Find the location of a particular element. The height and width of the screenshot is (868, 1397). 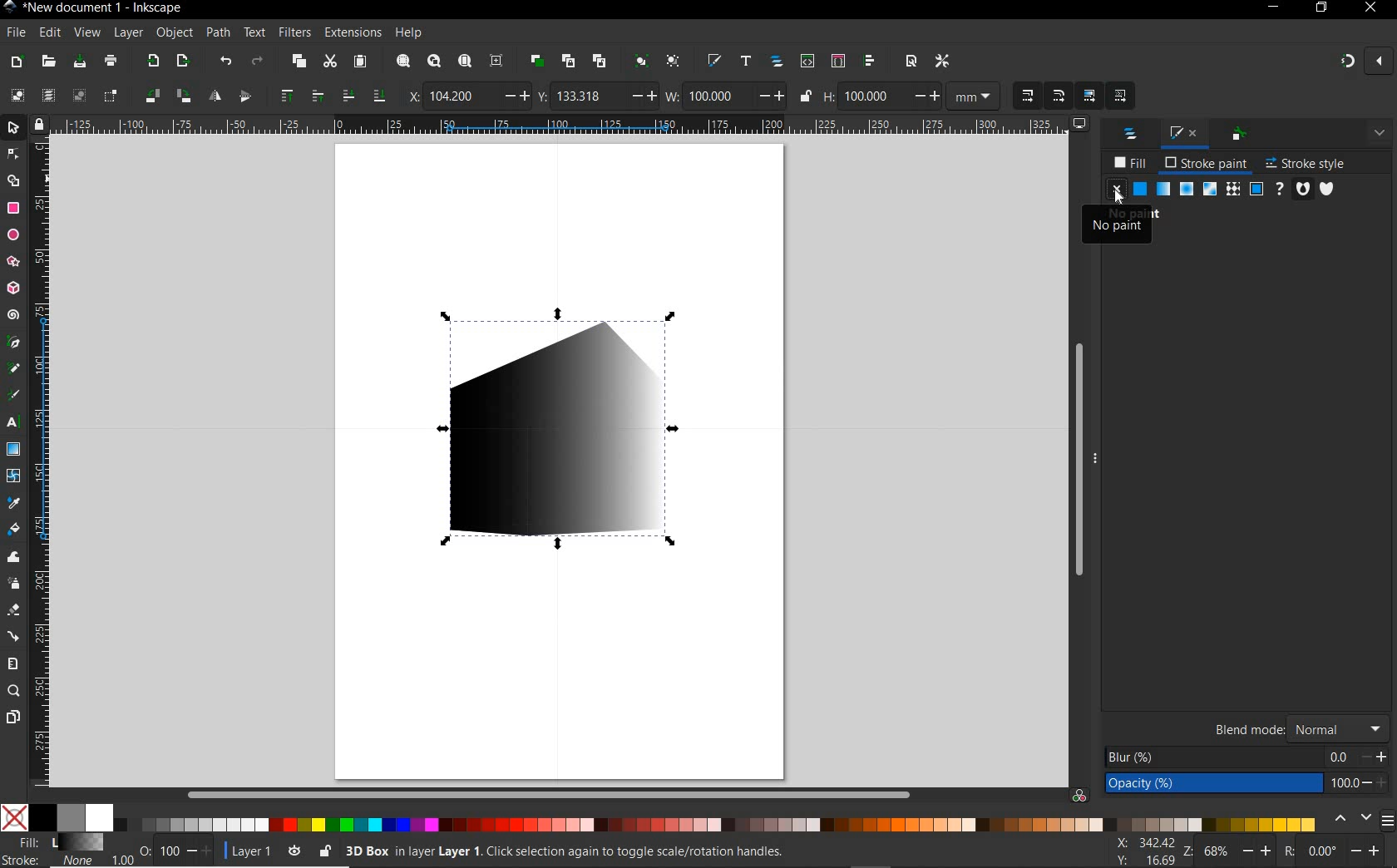

ZOOM TOOL is located at coordinates (15, 690).